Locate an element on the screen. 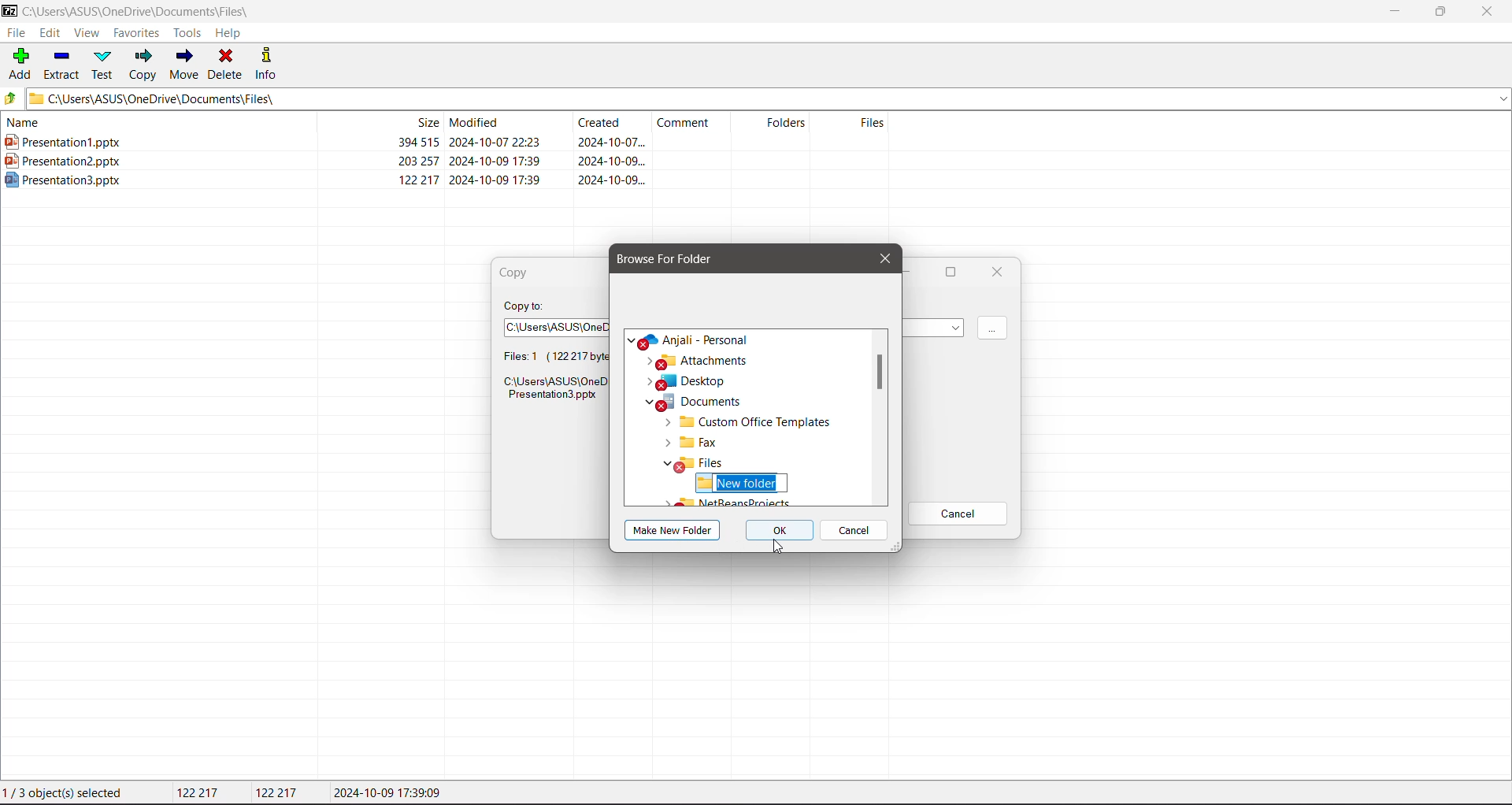  Comment is located at coordinates (695, 122).